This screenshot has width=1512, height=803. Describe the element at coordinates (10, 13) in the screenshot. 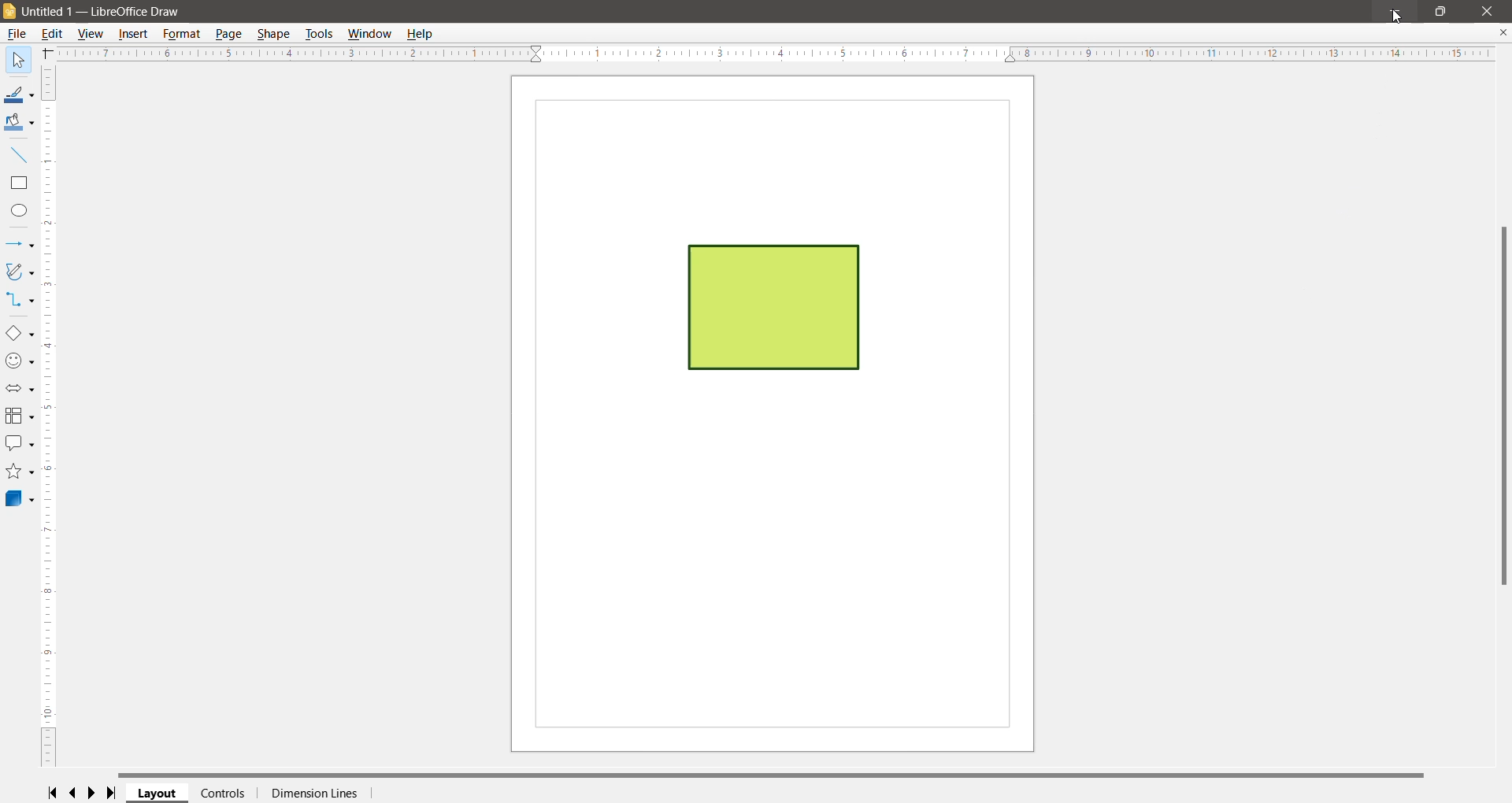

I see `Application Logo` at that location.